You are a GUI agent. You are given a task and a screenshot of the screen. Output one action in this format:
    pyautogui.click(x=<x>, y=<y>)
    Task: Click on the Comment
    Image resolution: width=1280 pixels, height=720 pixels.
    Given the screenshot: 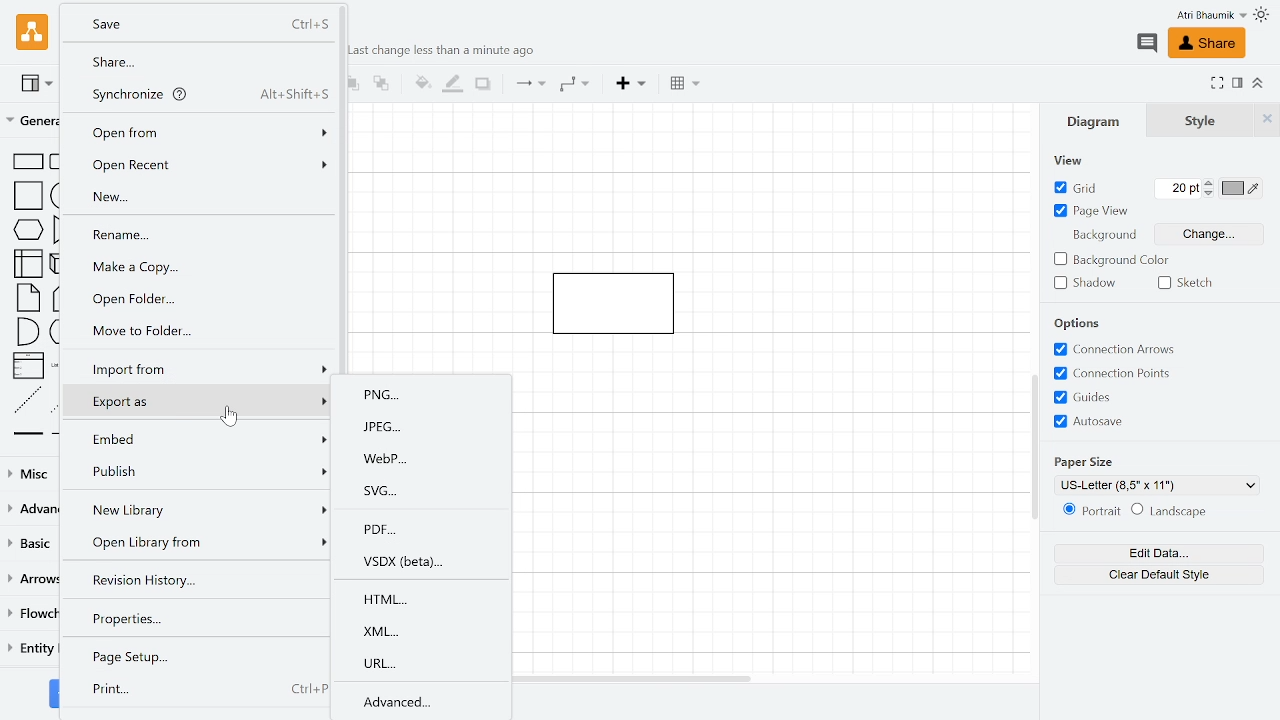 What is the action you would take?
    pyautogui.click(x=1149, y=44)
    